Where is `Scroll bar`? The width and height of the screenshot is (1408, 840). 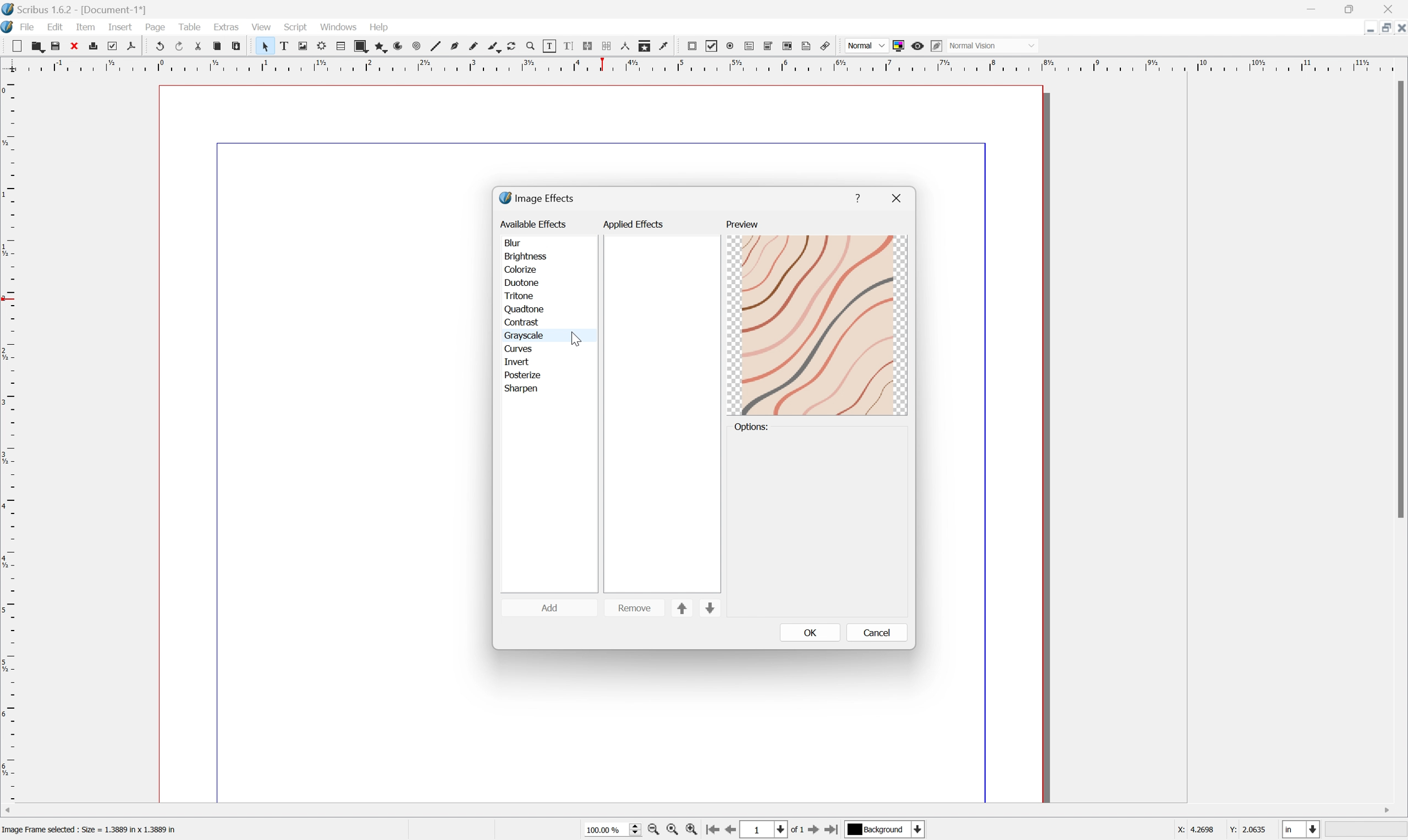 Scroll bar is located at coordinates (1399, 299).